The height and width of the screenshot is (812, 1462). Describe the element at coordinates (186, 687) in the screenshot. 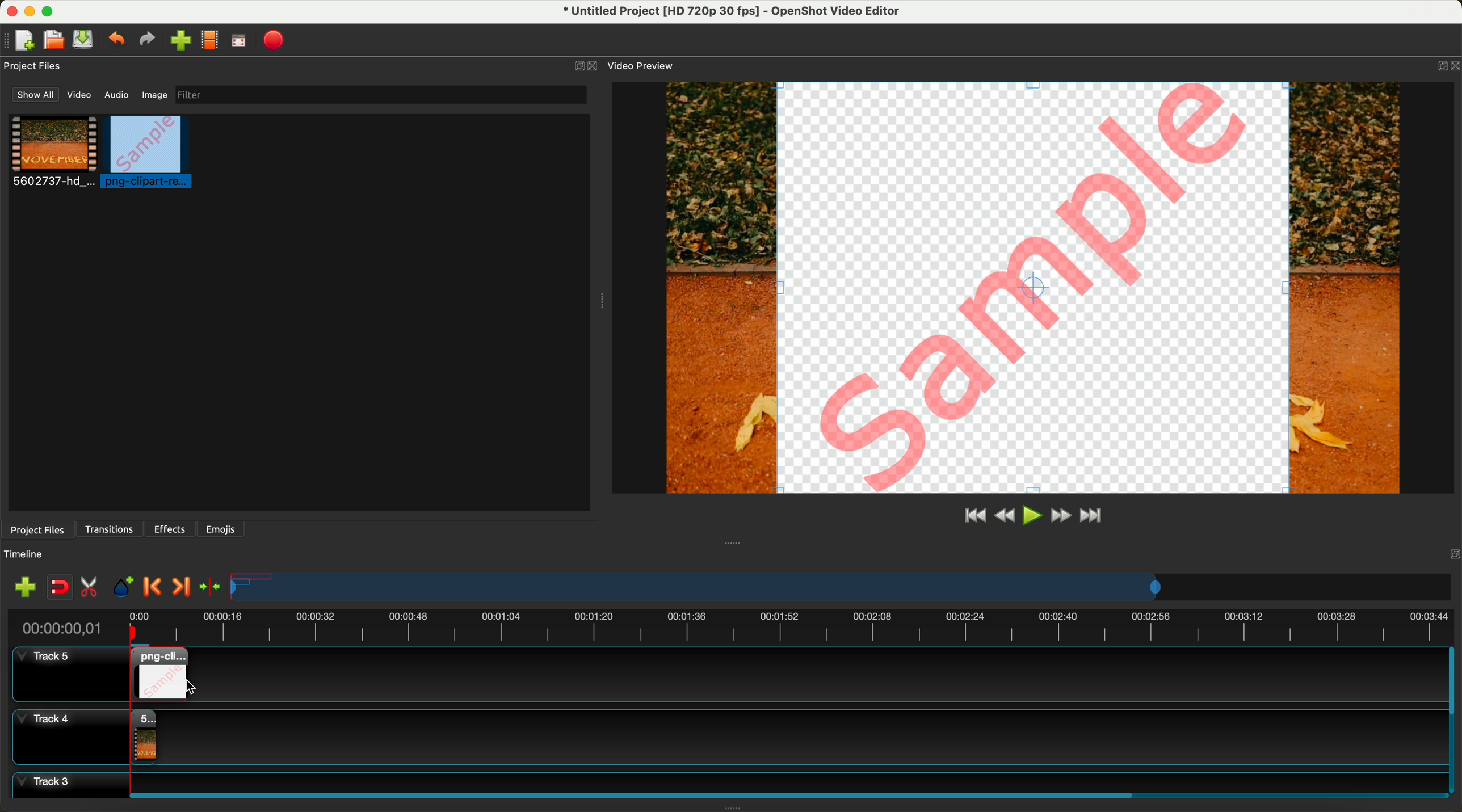

I see `click for drag to action` at that location.